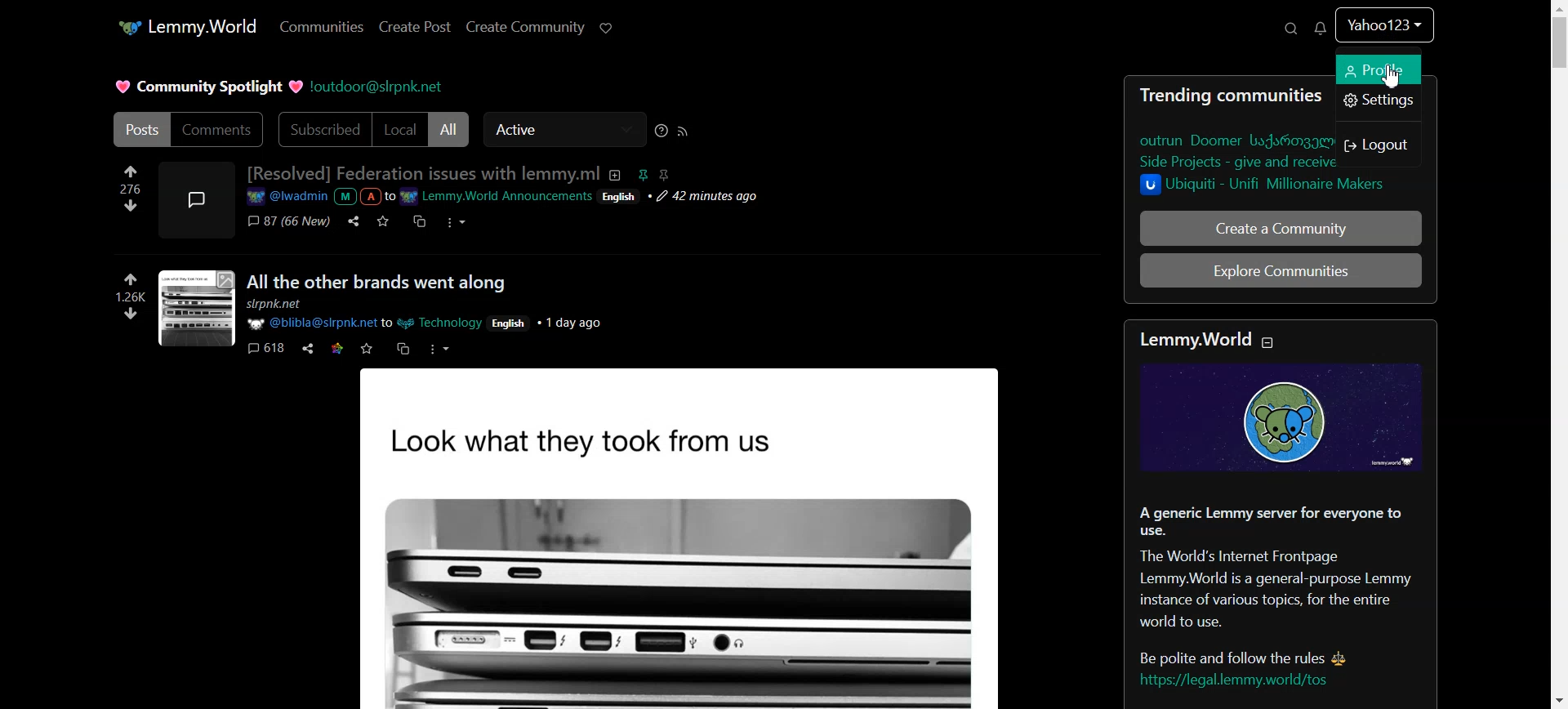 Image resolution: width=1568 pixels, height=709 pixels. I want to click on logo, so click(1278, 417).